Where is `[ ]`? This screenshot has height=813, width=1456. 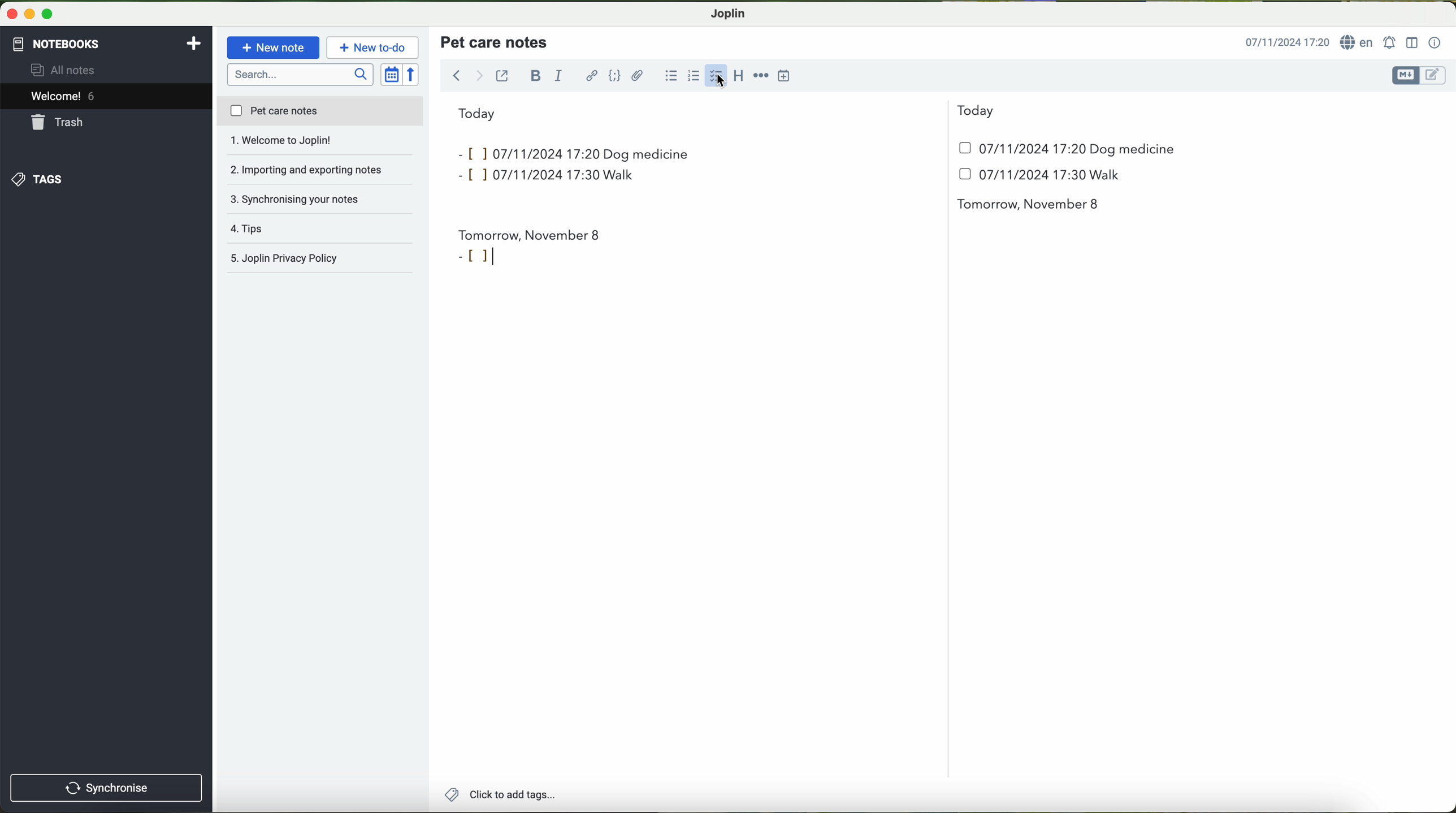 [ ] is located at coordinates (476, 256).